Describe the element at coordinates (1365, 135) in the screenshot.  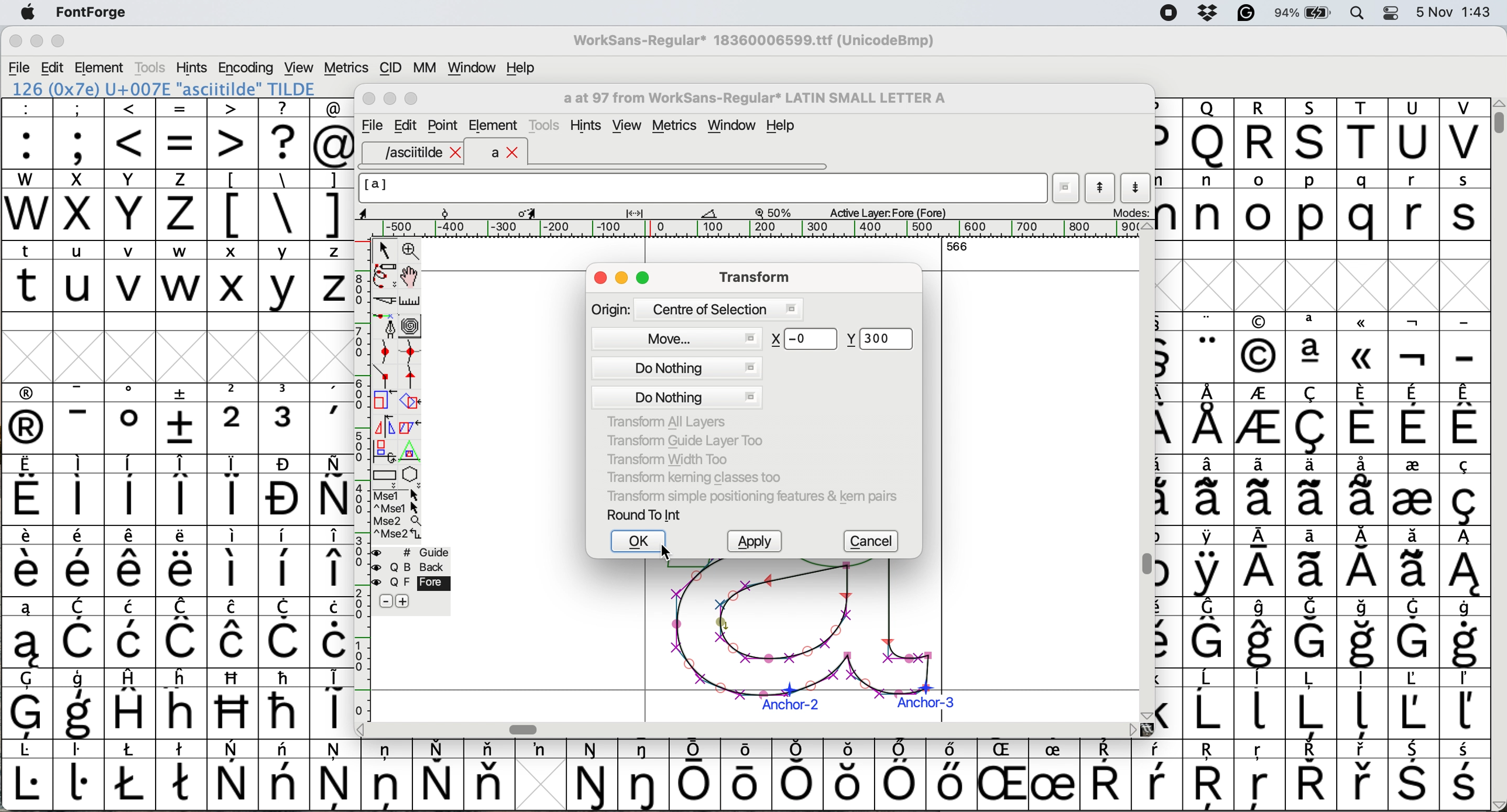
I see `T` at that location.